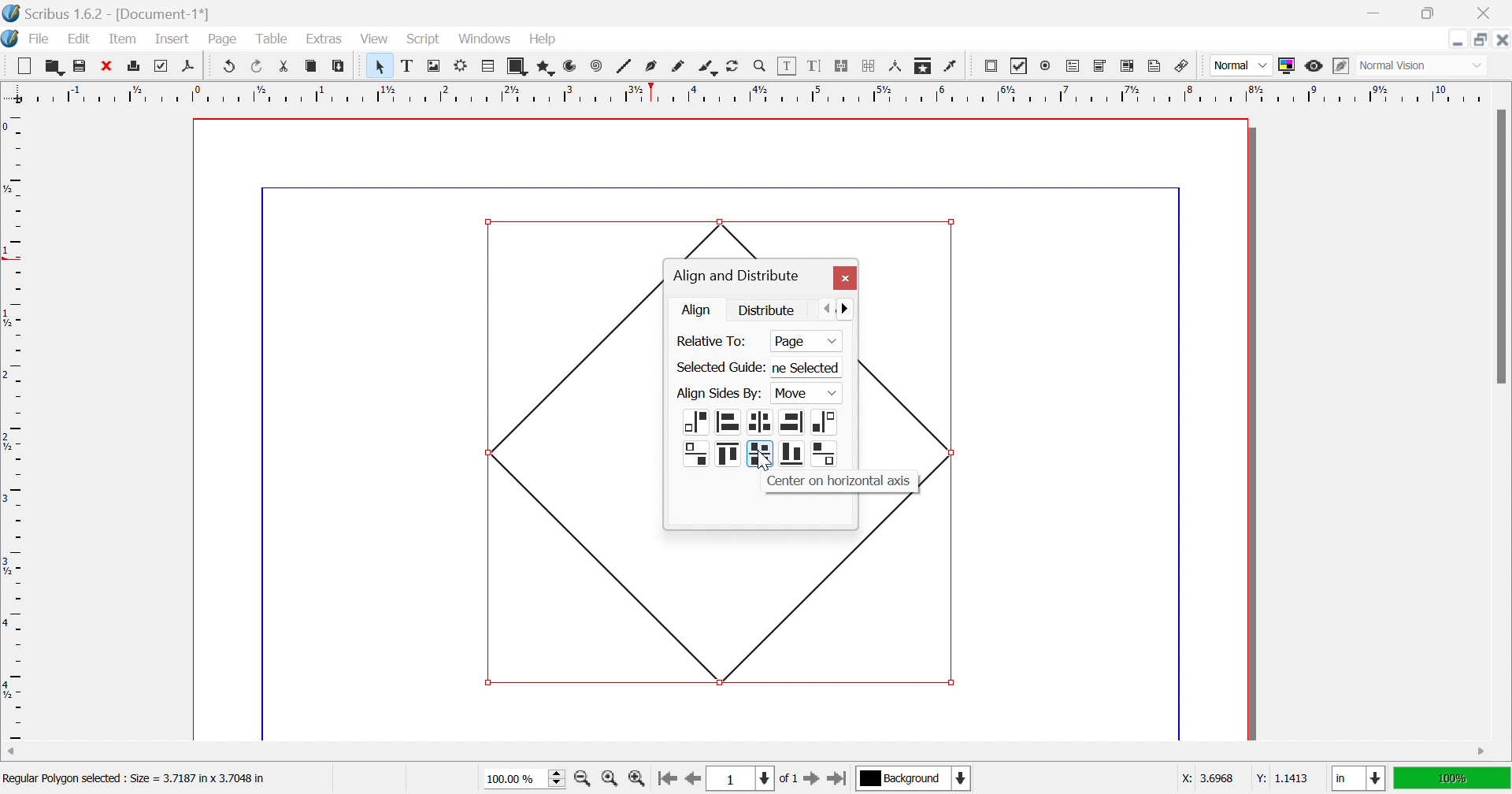 Image resolution: width=1512 pixels, height=794 pixels. Describe the element at coordinates (792, 395) in the screenshot. I see `Page` at that location.